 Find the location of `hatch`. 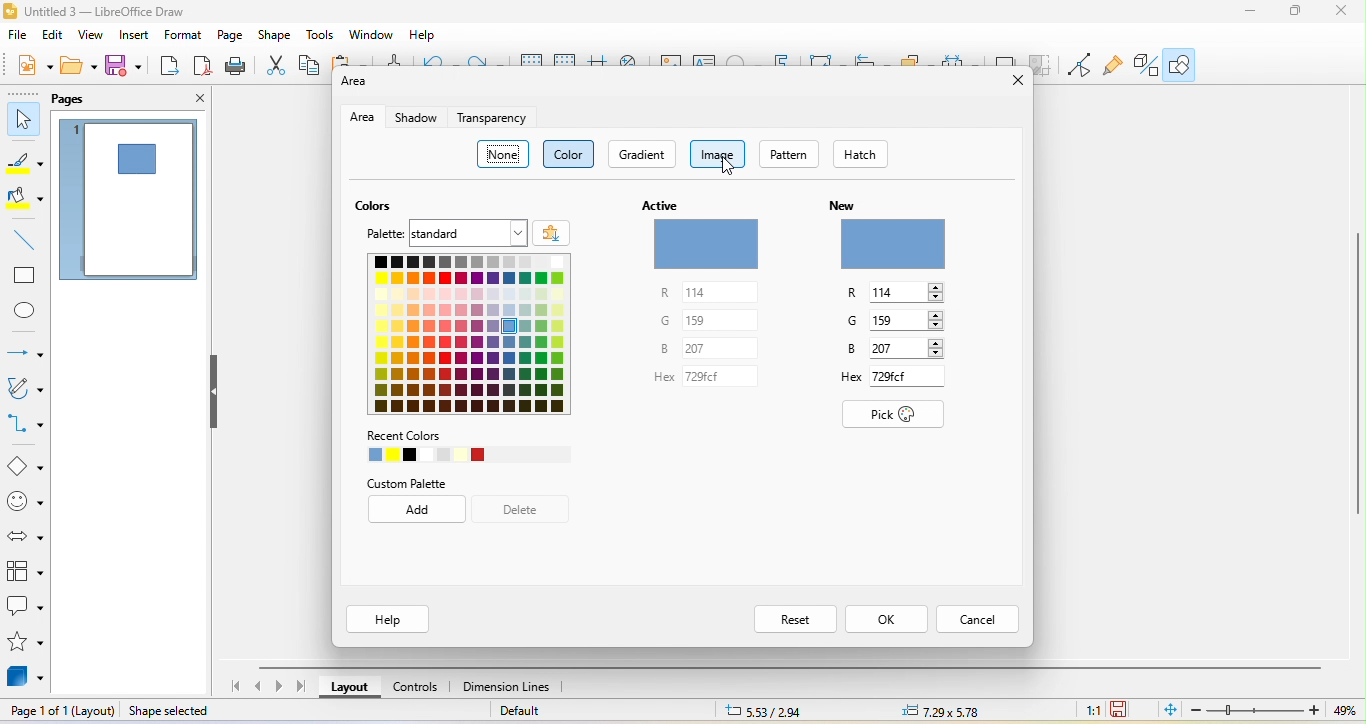

hatch is located at coordinates (855, 153).